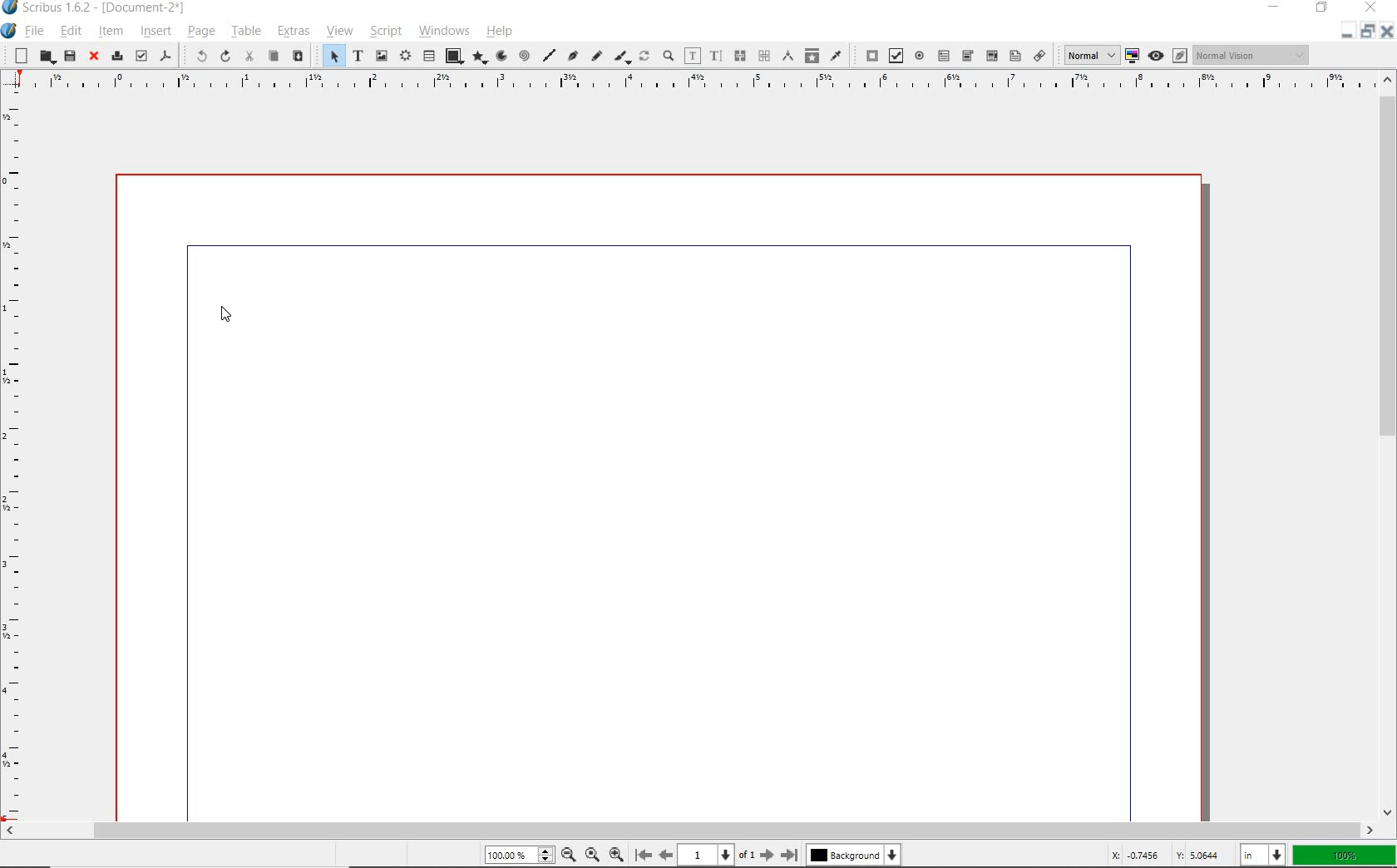  Describe the element at coordinates (967, 57) in the screenshot. I see `pdf combo box` at that location.